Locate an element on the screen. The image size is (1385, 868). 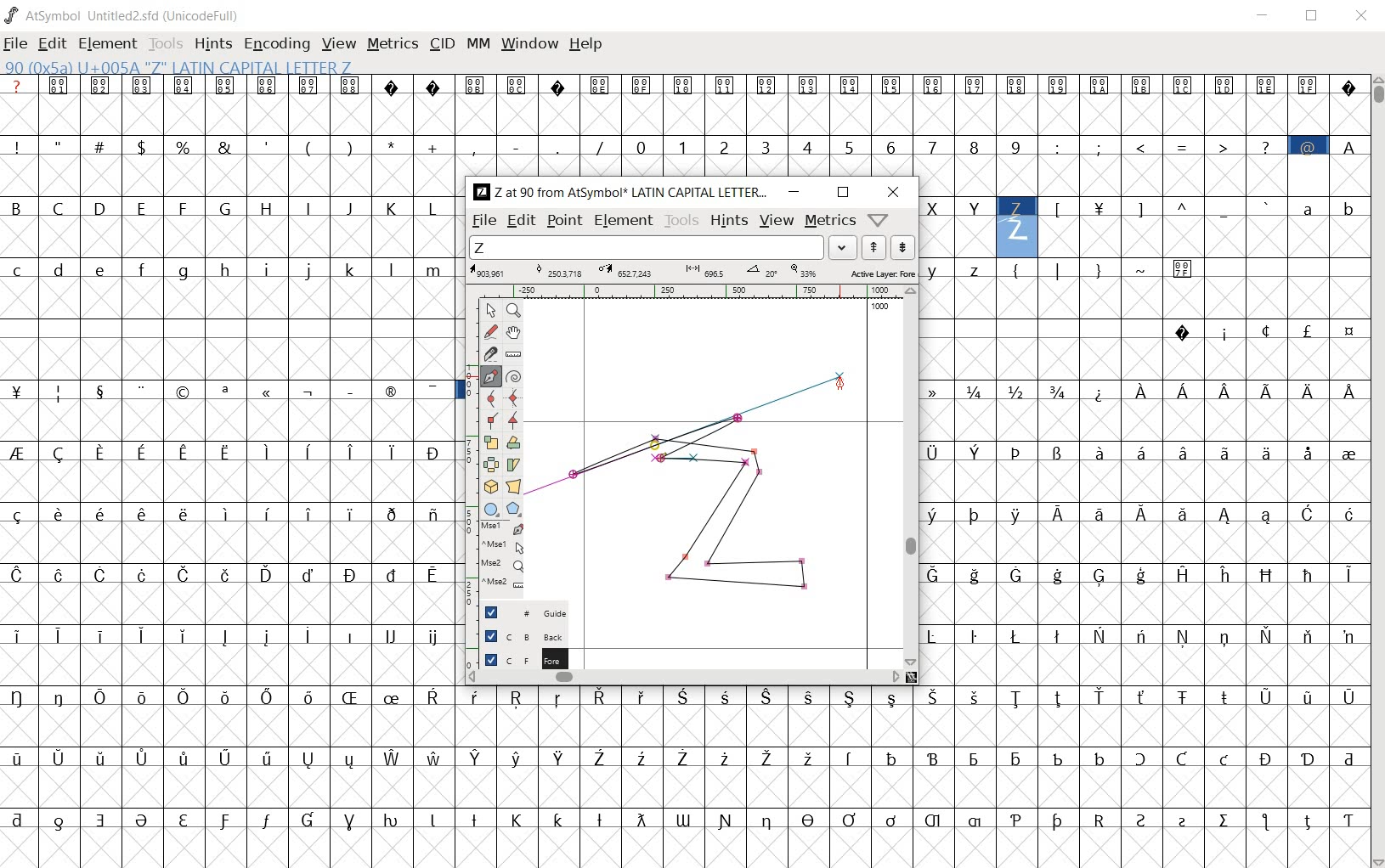
creative tail design is located at coordinates (688, 429).